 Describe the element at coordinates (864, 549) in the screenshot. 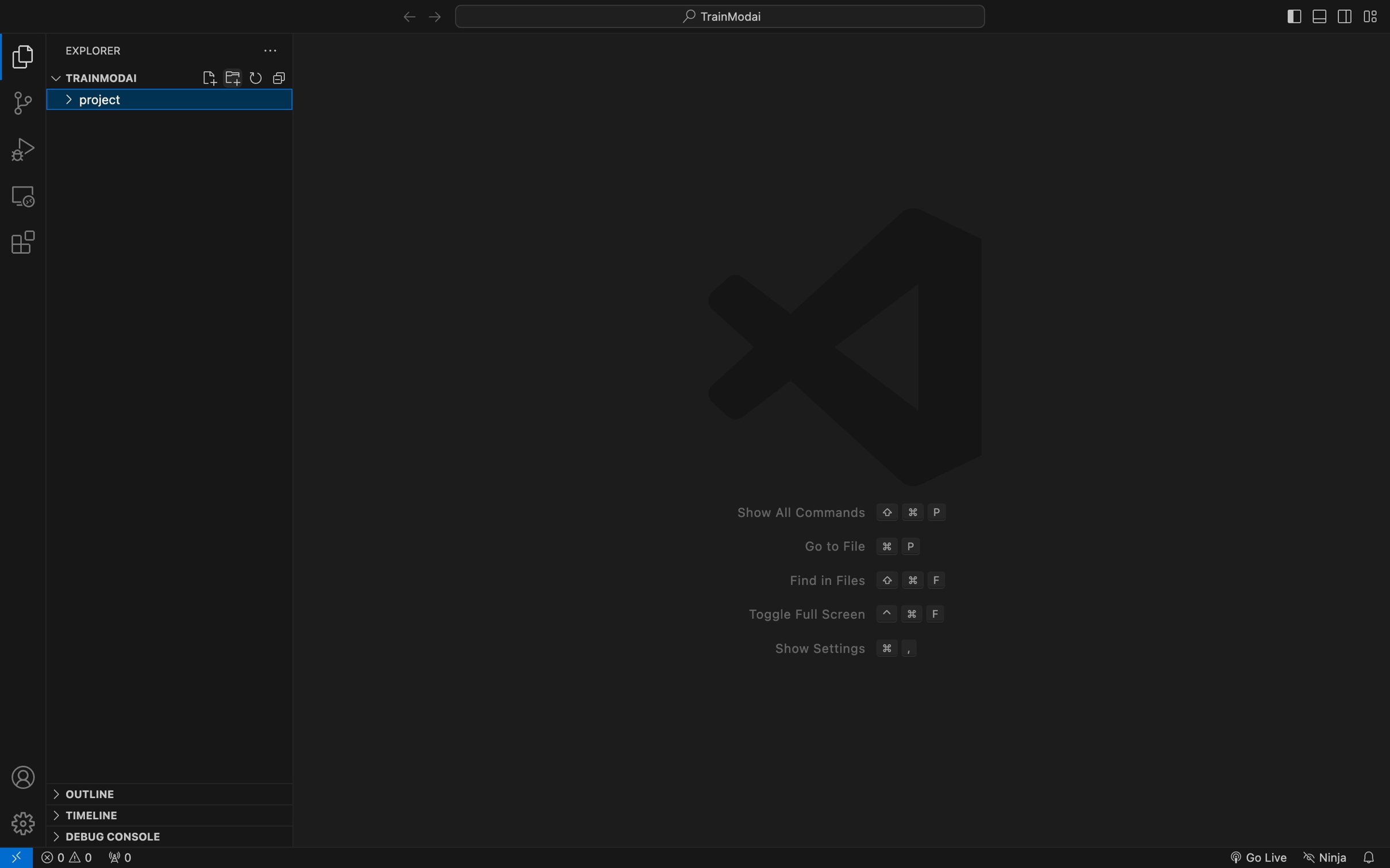

I see `Go to file` at that location.